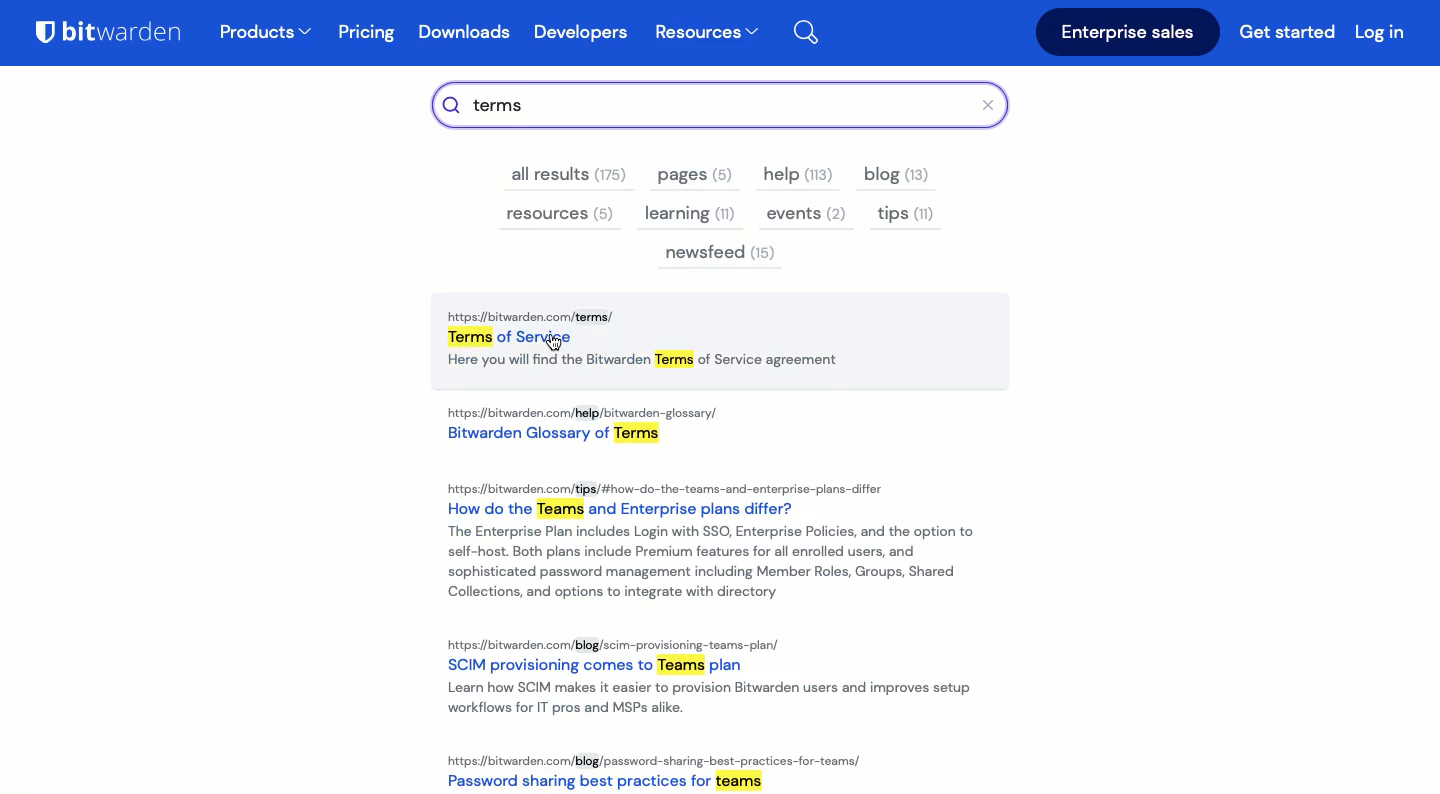 The height and width of the screenshot is (794, 1440). Describe the element at coordinates (689, 213) in the screenshot. I see `learning` at that location.